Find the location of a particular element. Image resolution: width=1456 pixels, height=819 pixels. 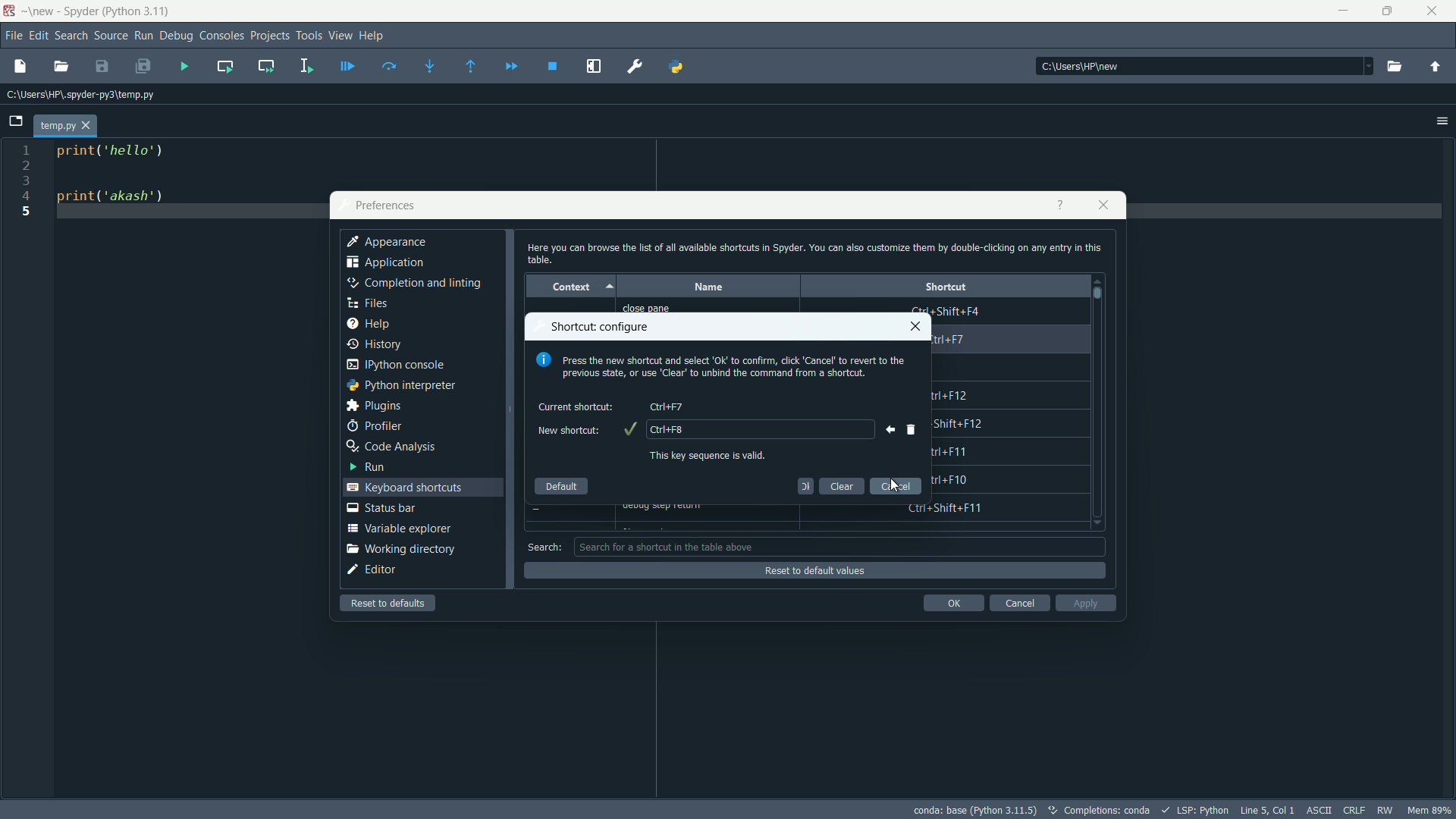

the key sequence is valid is located at coordinates (711, 455).